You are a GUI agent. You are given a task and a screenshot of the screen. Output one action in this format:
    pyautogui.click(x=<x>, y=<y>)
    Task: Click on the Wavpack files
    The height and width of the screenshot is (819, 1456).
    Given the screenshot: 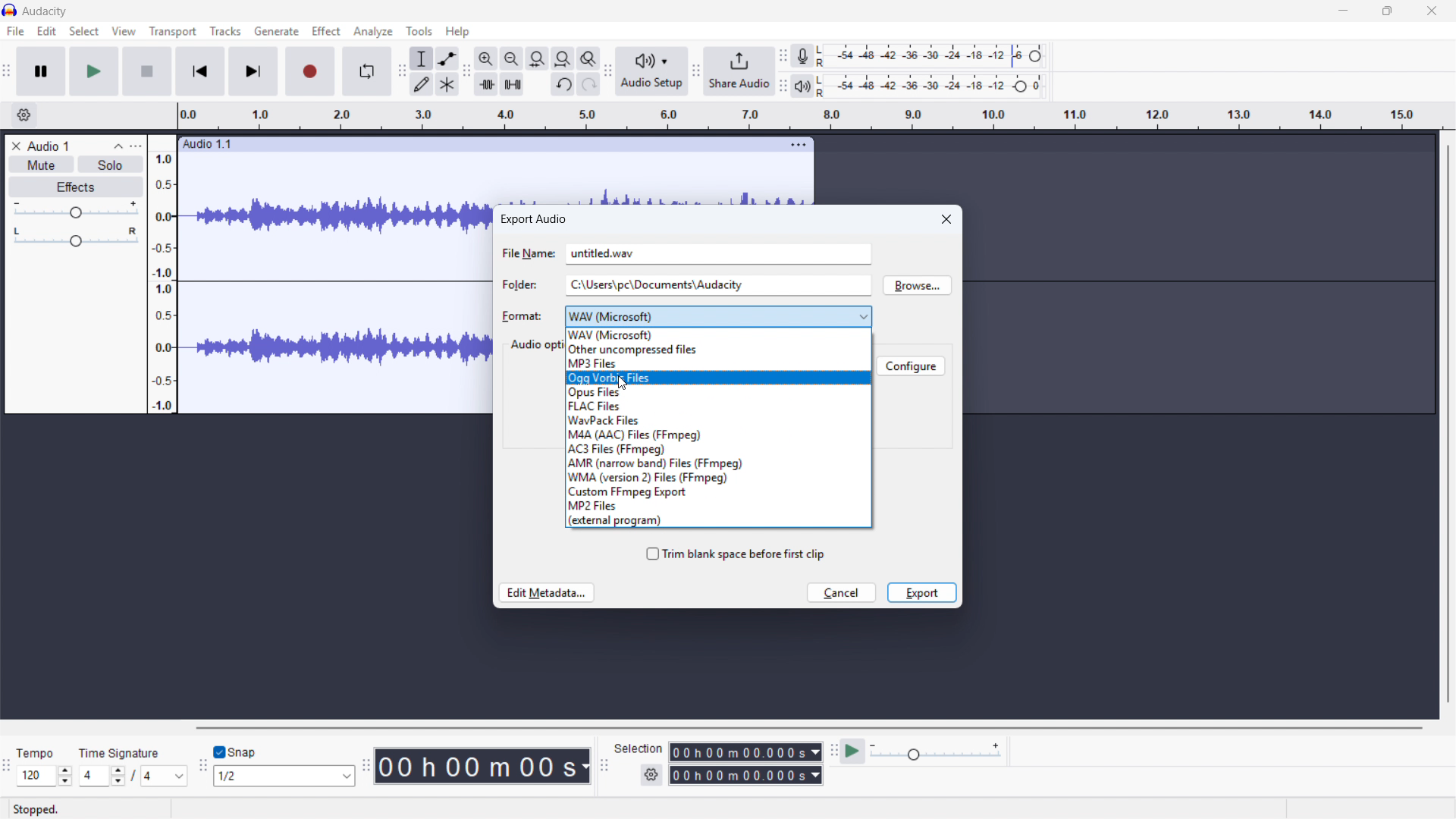 What is the action you would take?
    pyautogui.click(x=719, y=421)
    